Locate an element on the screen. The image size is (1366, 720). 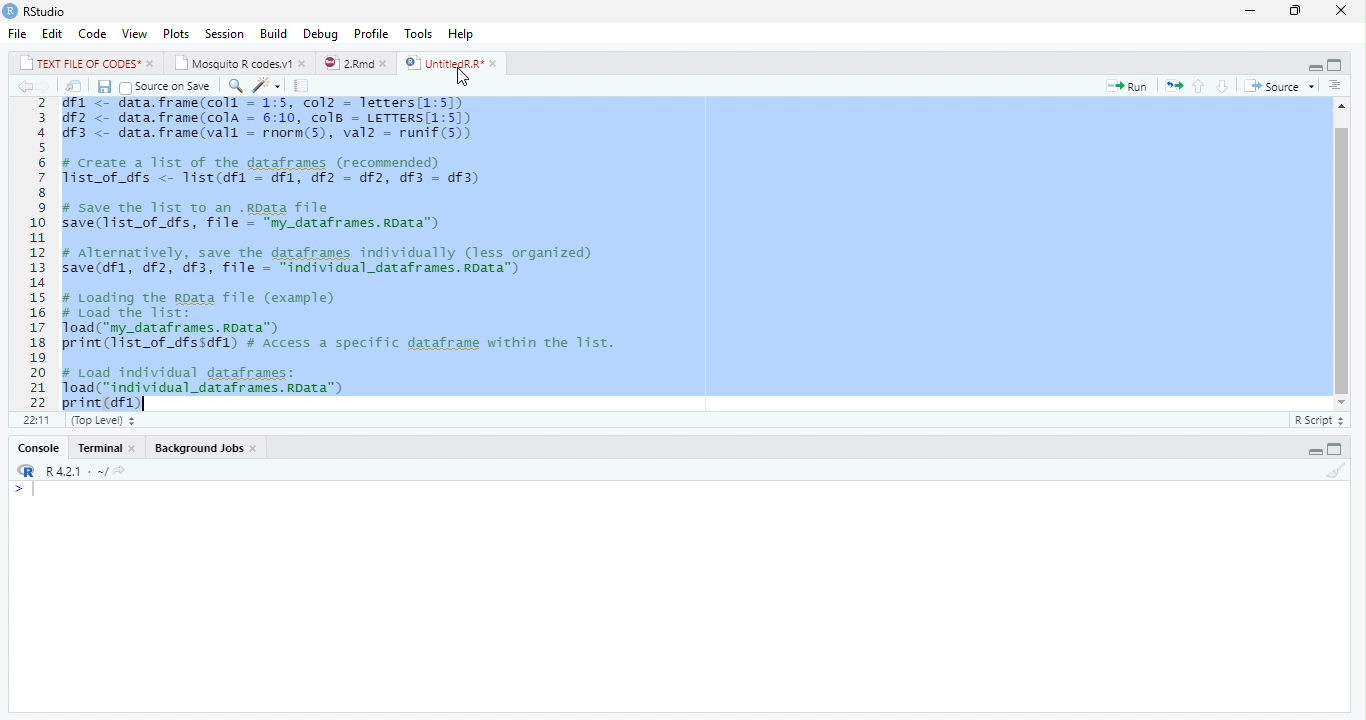
Go to next section is located at coordinates (1223, 87).